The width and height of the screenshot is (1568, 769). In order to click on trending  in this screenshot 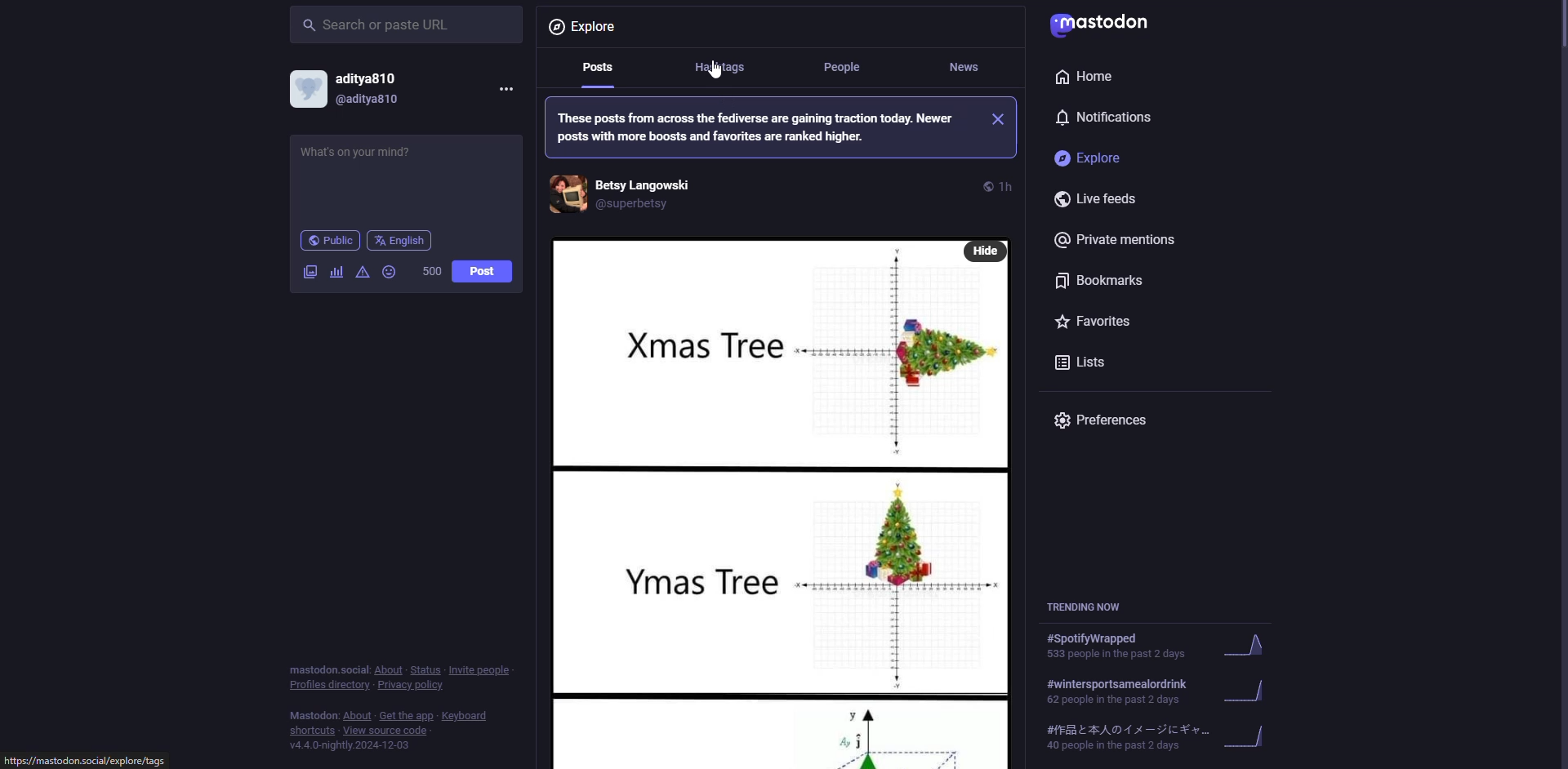, I will do `click(1152, 736)`.